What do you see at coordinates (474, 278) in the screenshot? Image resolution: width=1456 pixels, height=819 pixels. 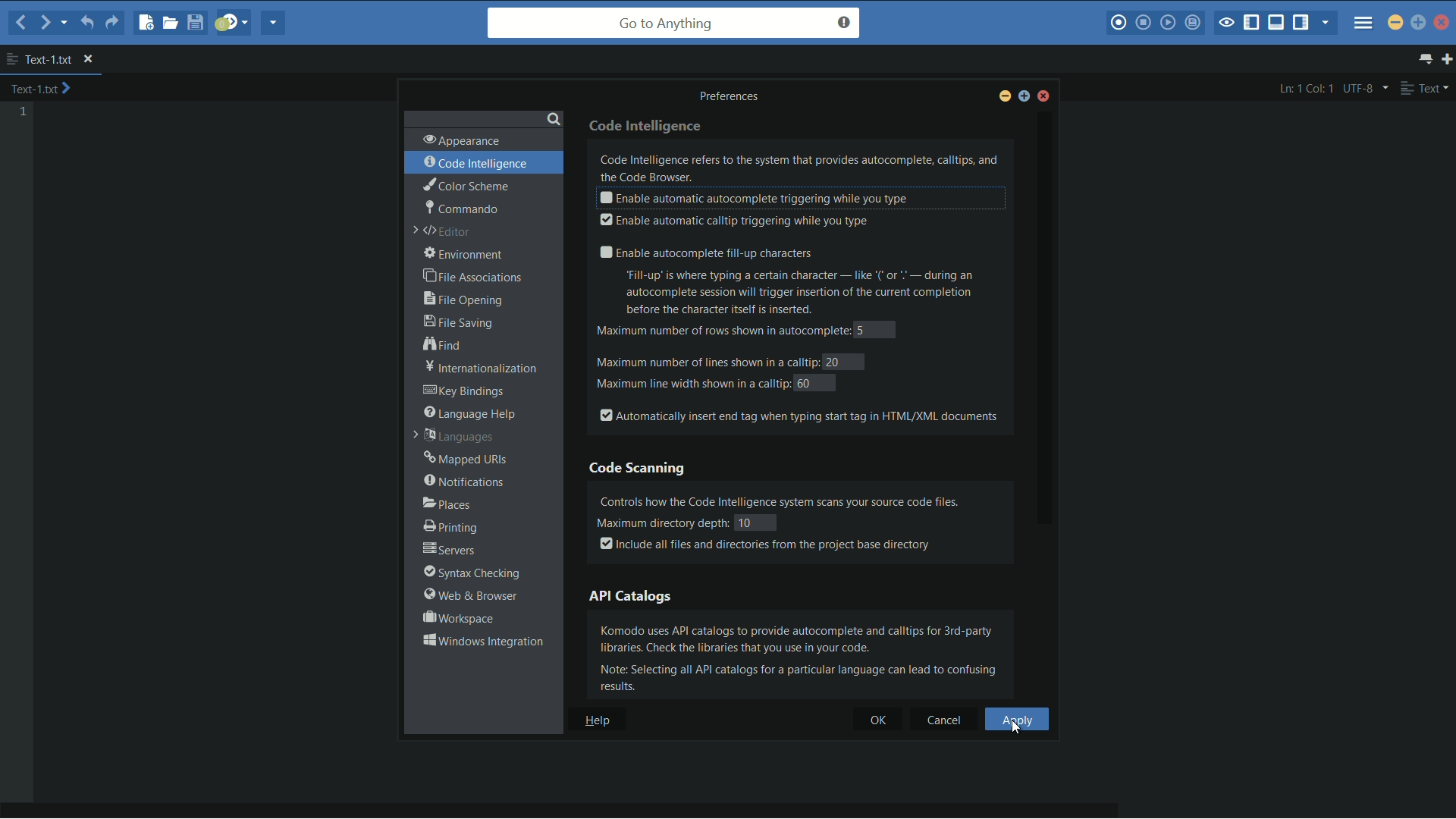 I see `file associations` at bounding box center [474, 278].